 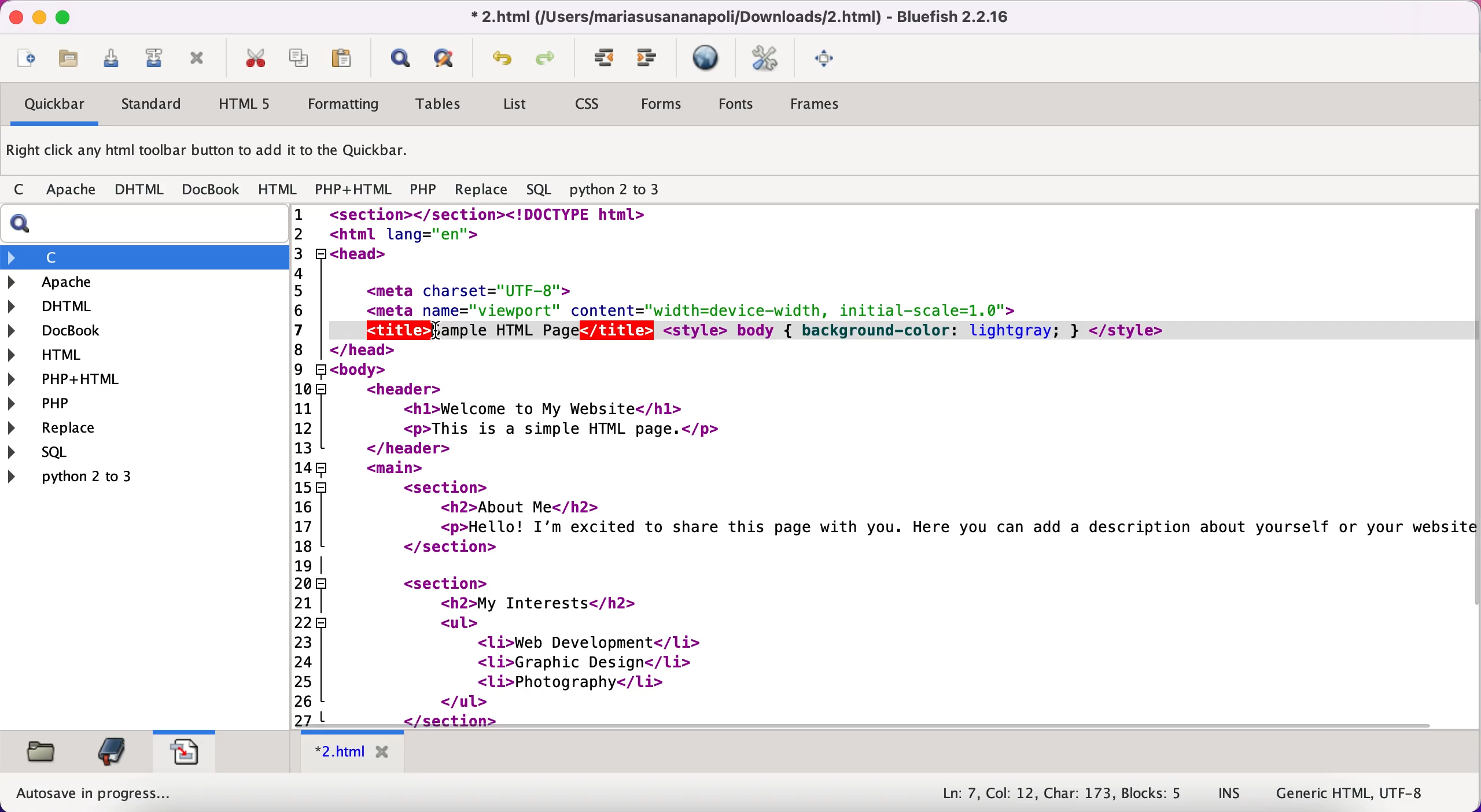 I want to click on full screen, so click(x=827, y=57).